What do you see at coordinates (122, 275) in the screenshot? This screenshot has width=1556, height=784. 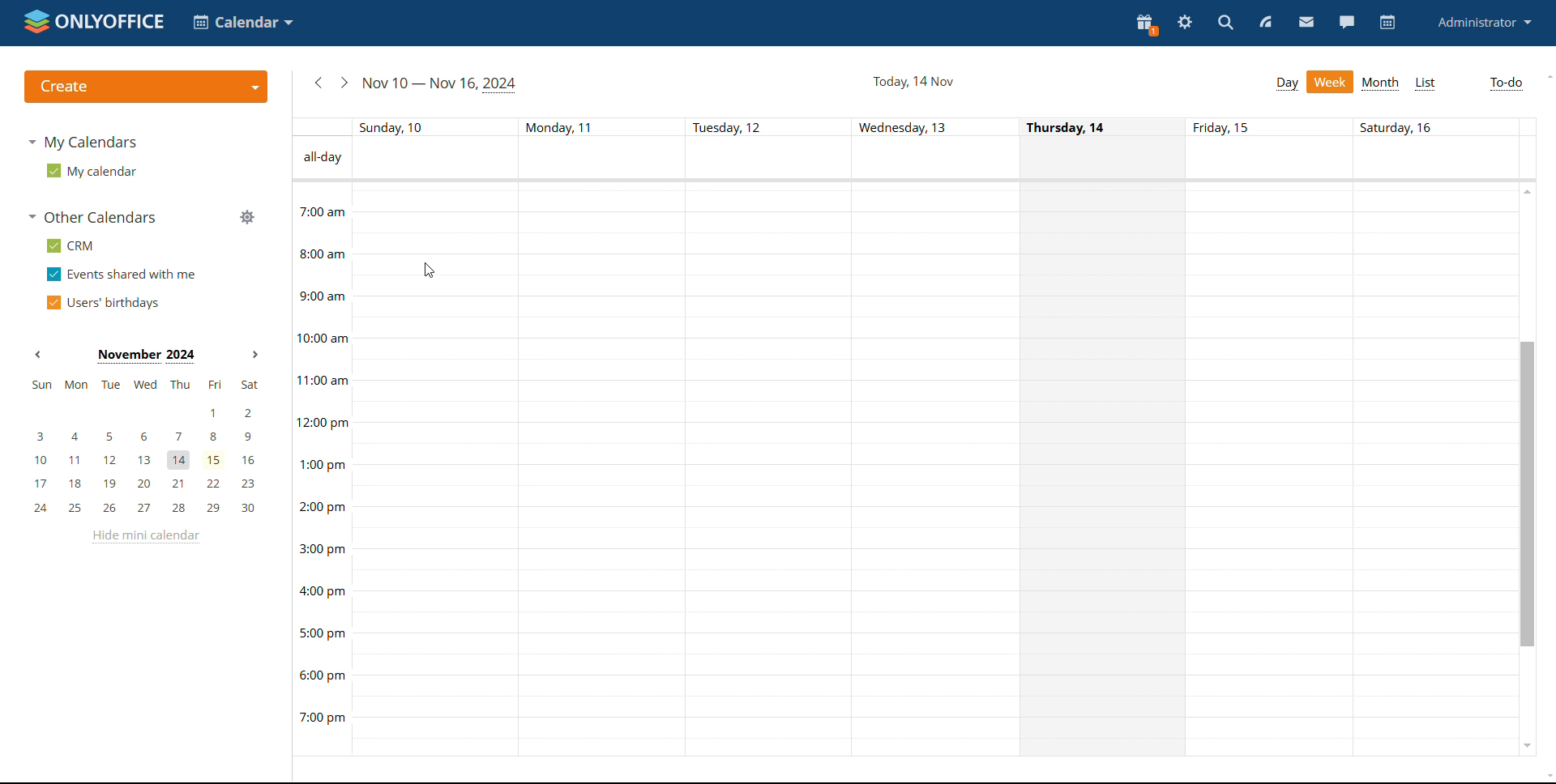 I see `events shared with me` at bounding box center [122, 275].